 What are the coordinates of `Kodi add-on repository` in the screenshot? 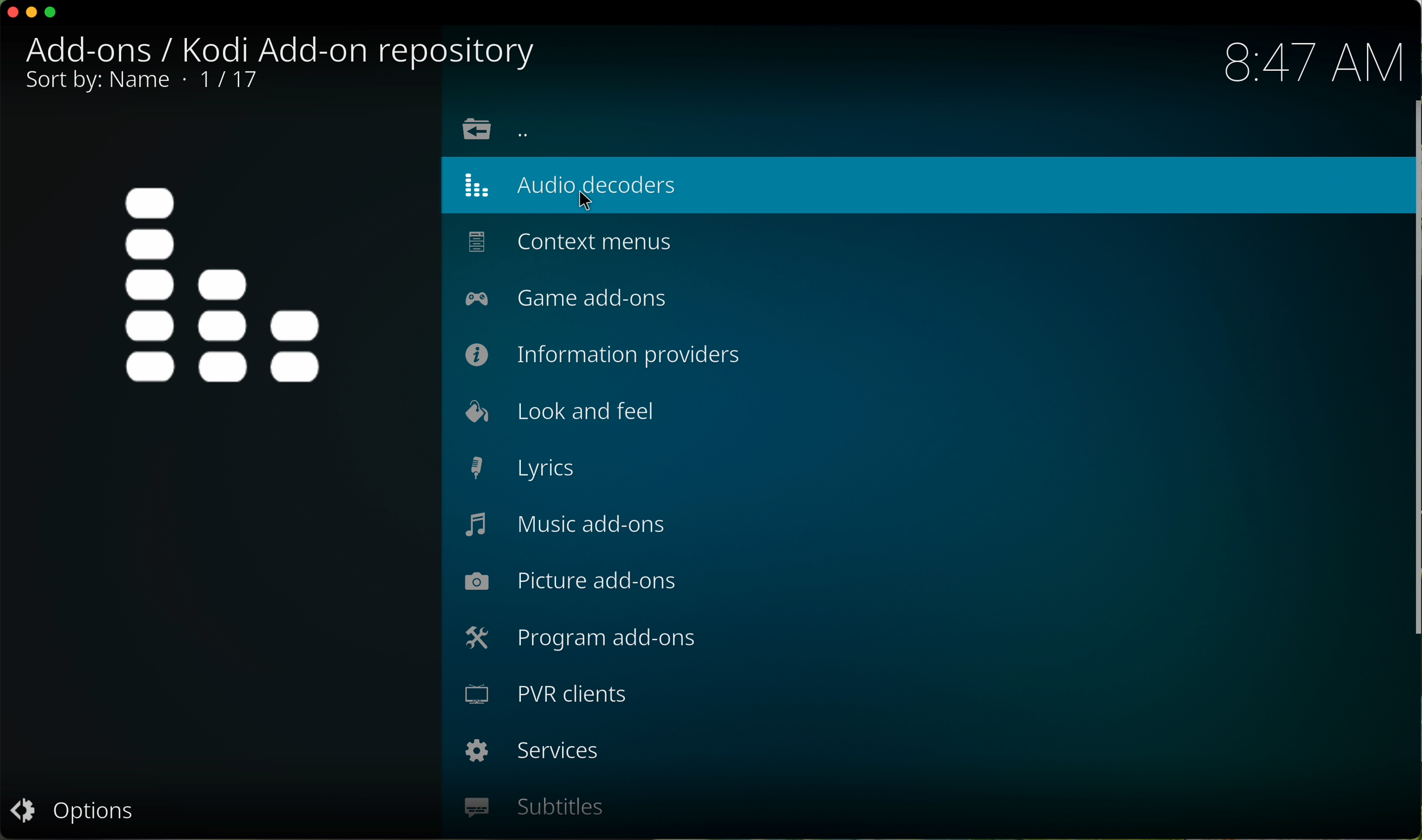 It's located at (360, 49).